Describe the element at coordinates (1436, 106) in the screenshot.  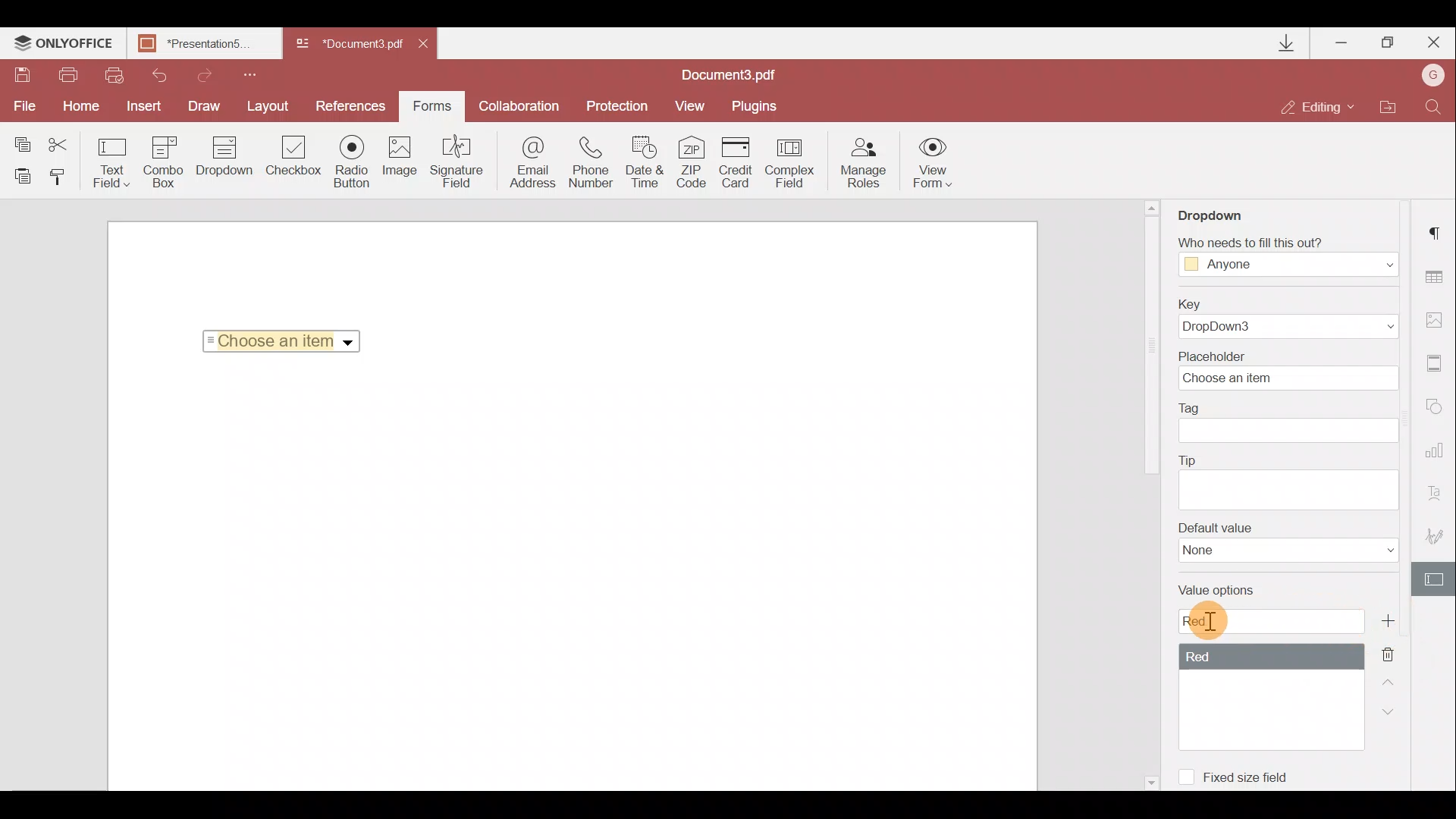
I see `Find` at that location.